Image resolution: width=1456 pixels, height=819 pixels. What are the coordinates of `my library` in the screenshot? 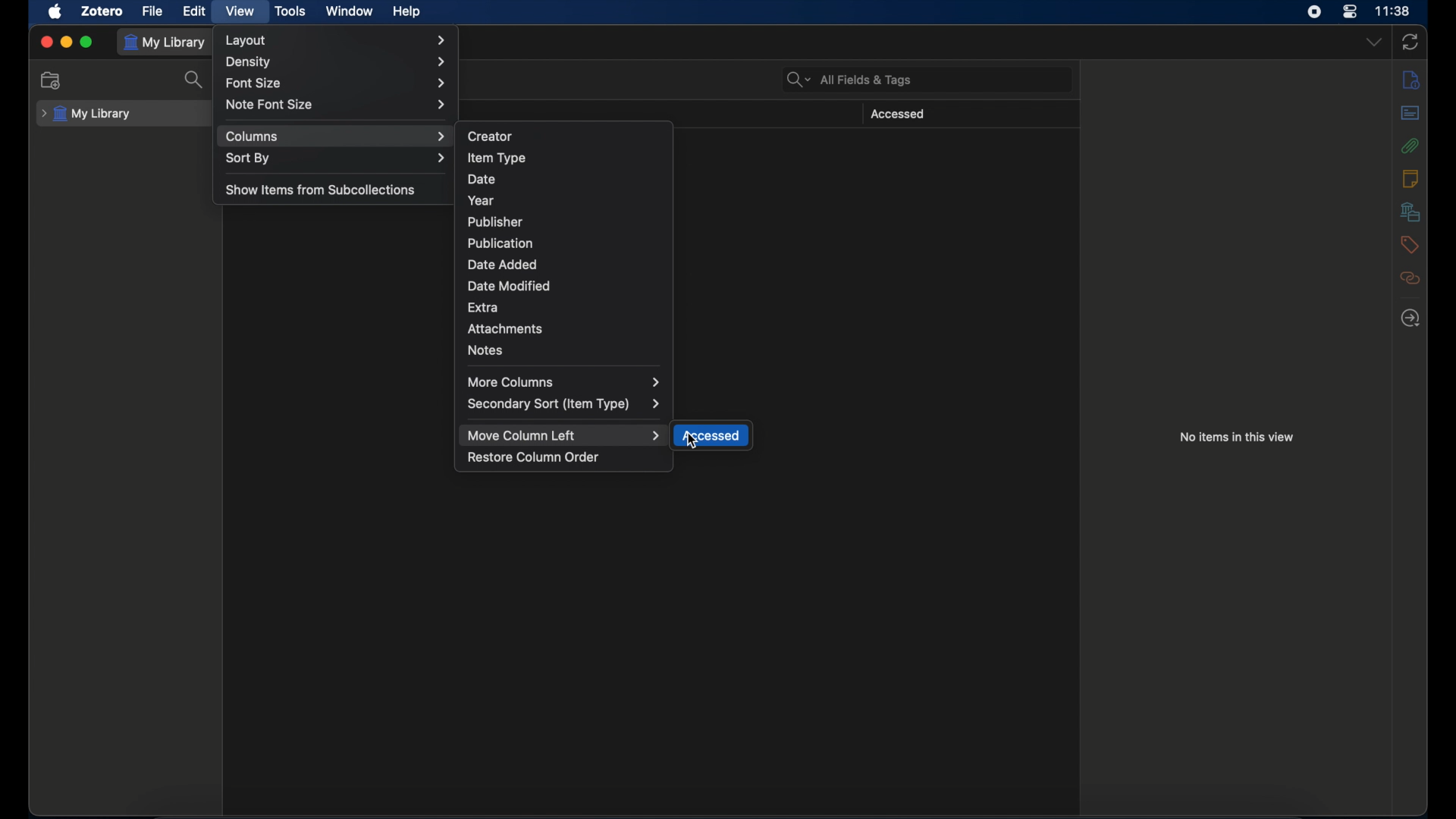 It's located at (86, 114).